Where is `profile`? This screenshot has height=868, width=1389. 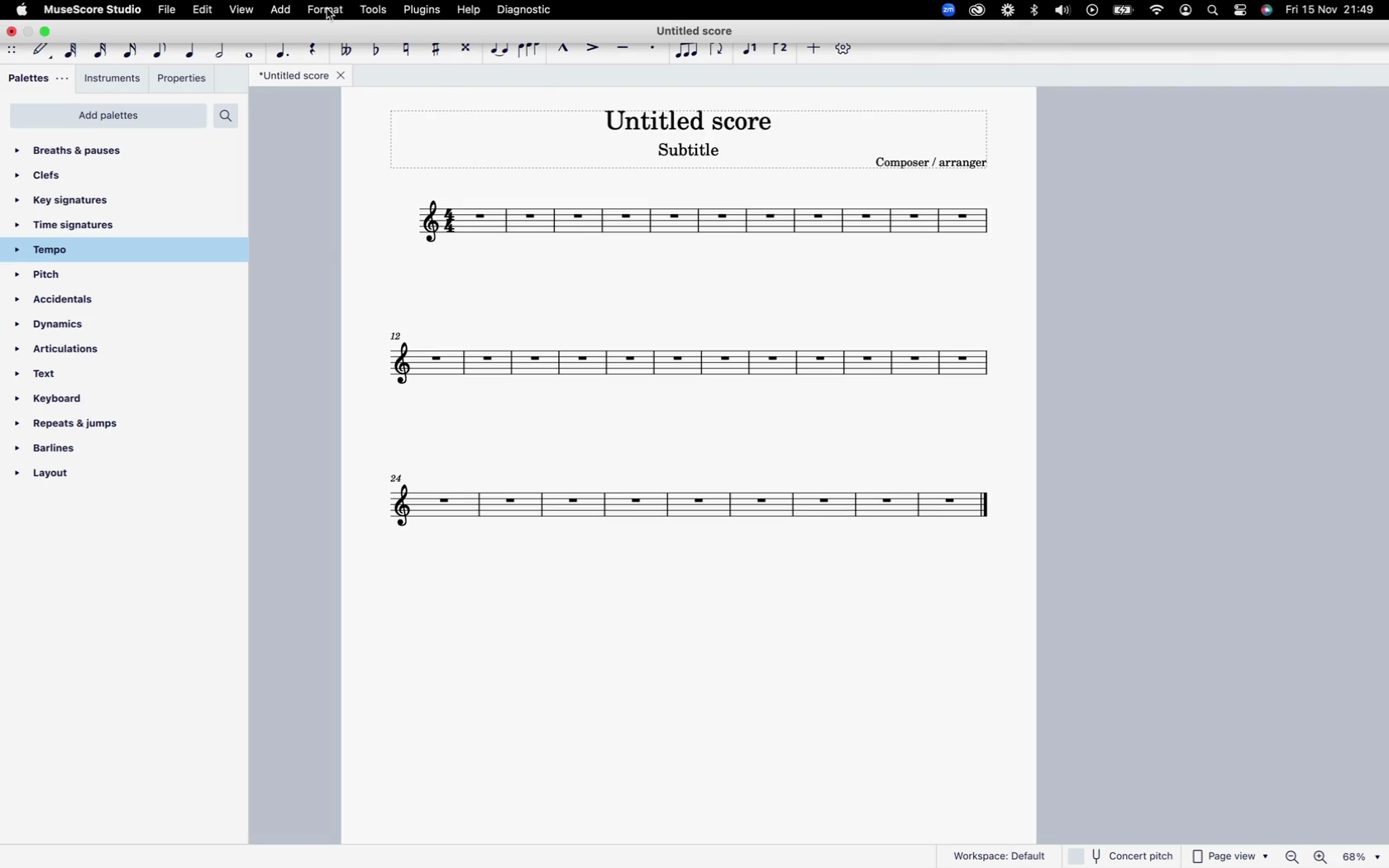 profile is located at coordinates (1186, 12).